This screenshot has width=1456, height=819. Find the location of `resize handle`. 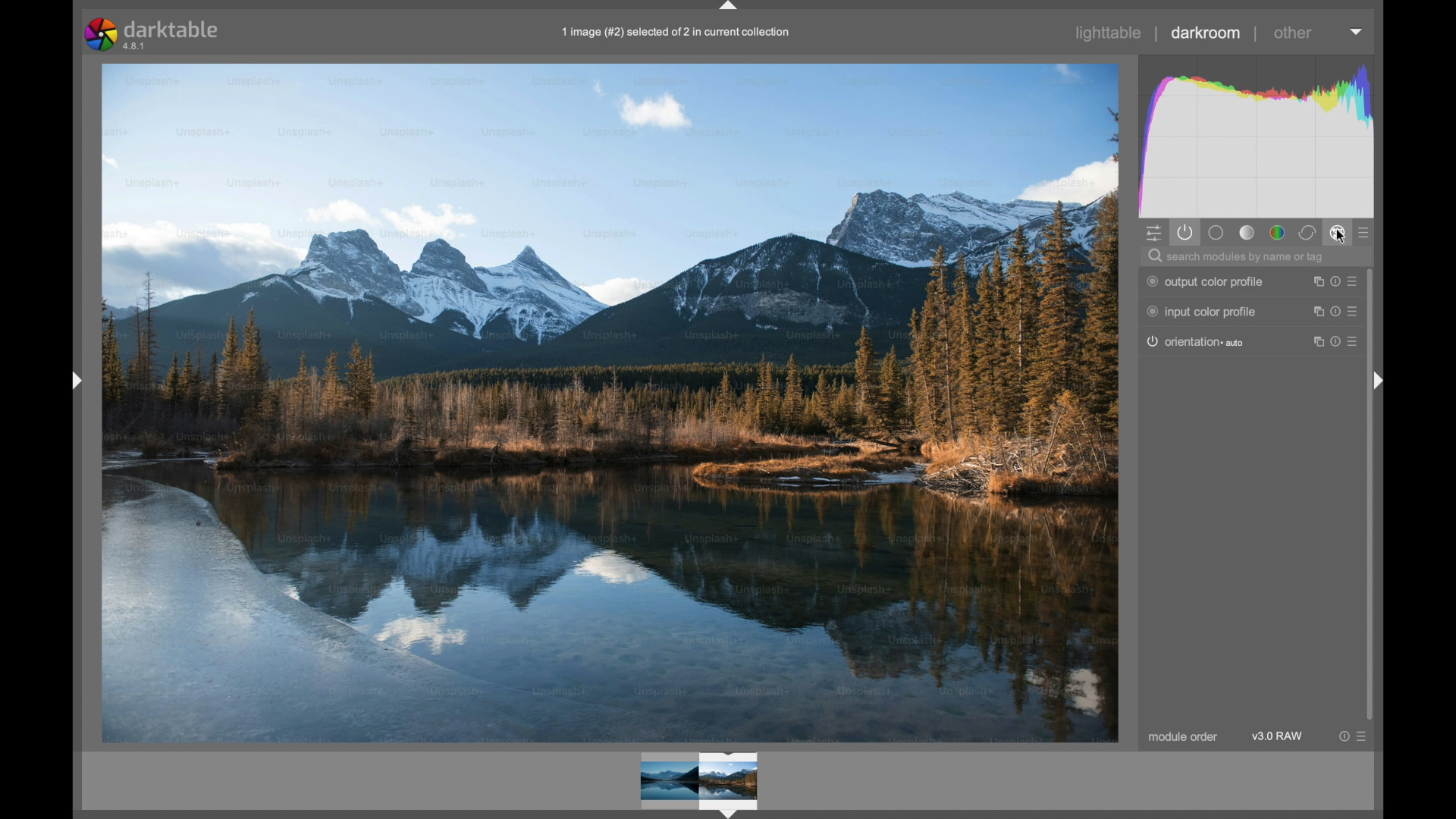

resize handle is located at coordinates (1356, 342).